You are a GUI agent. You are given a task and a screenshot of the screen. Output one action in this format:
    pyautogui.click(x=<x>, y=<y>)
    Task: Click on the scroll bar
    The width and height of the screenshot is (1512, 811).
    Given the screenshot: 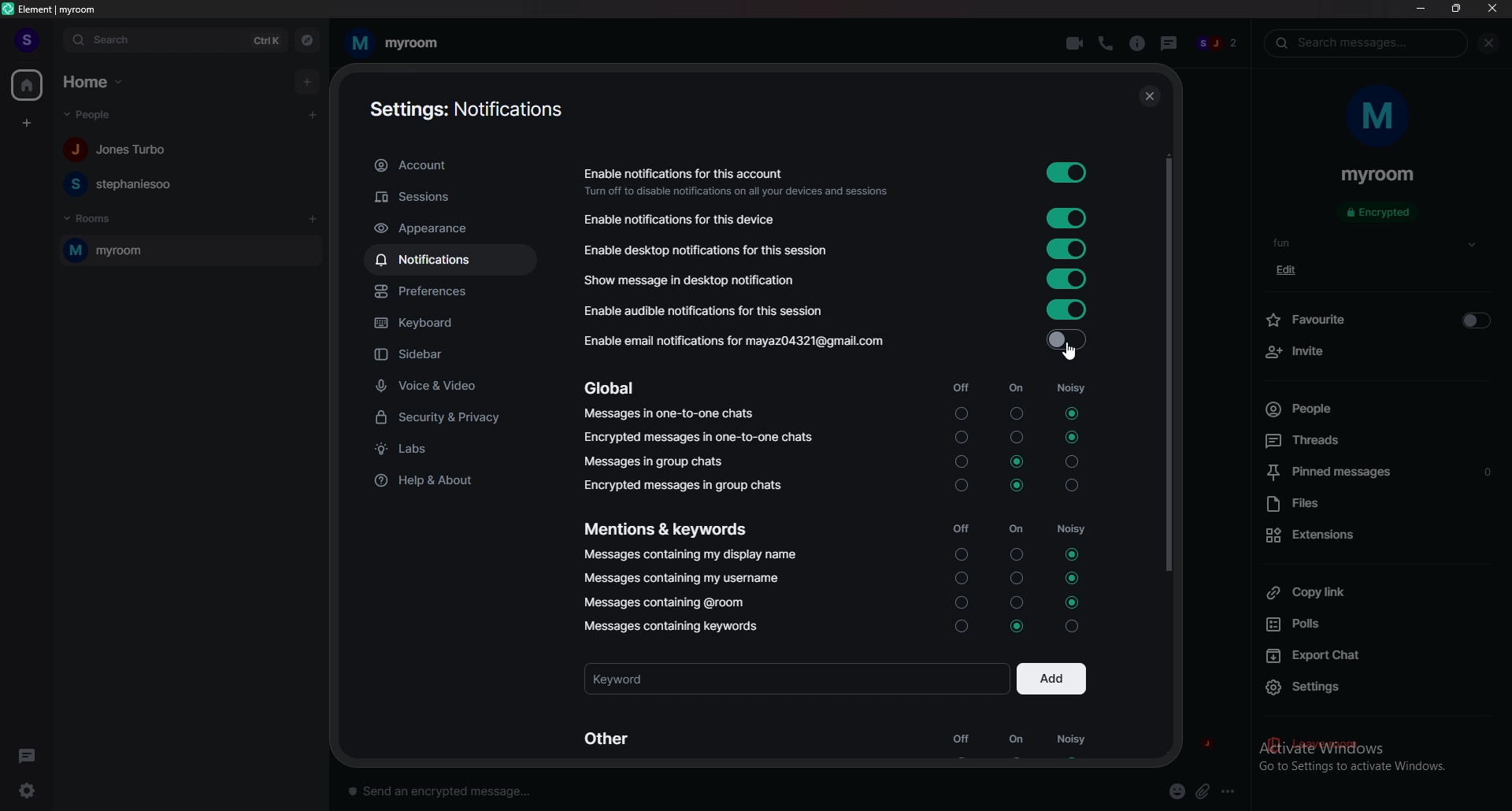 What is the action you would take?
    pyautogui.click(x=1170, y=361)
    